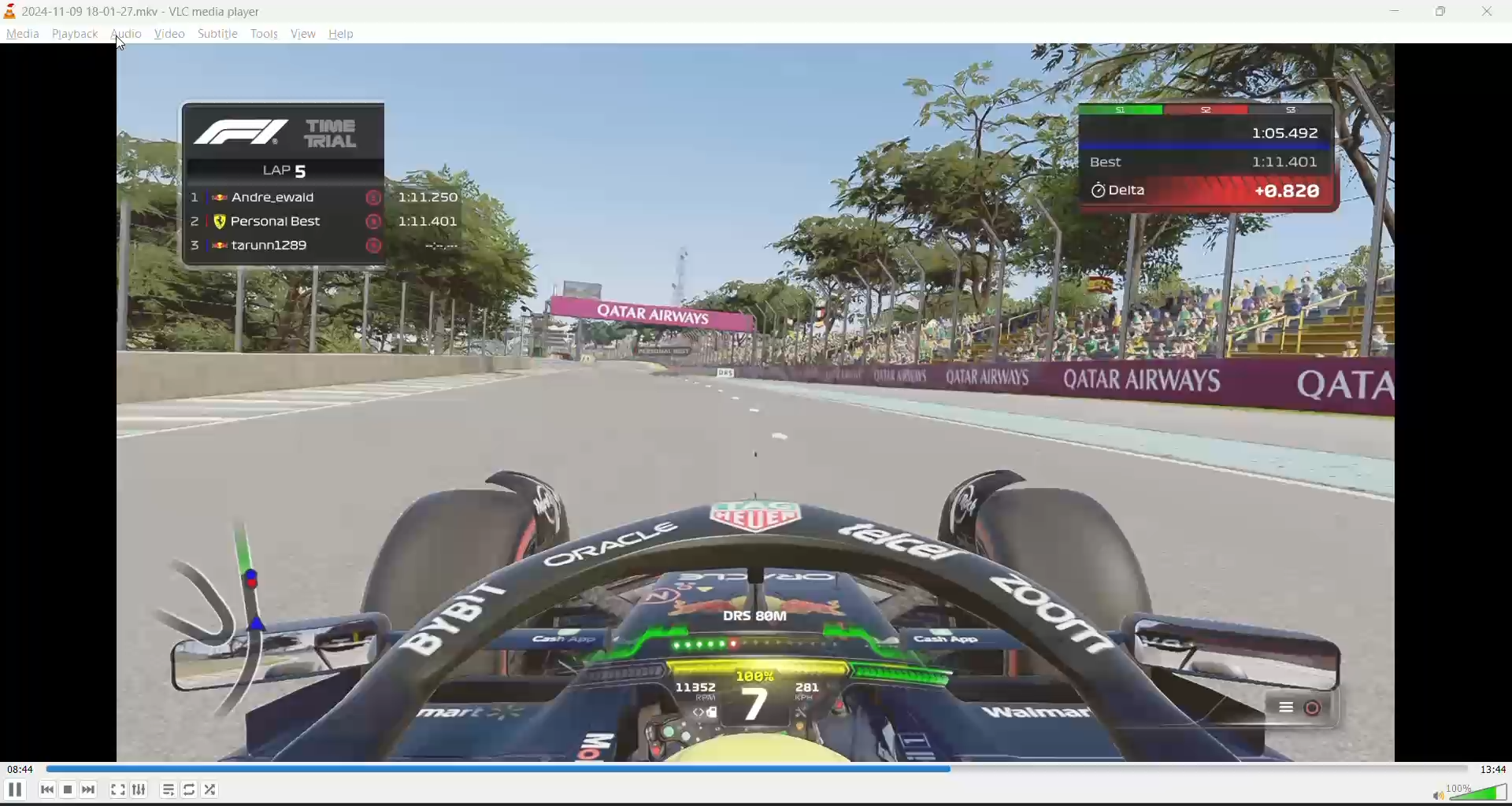  I want to click on next, so click(87, 789).